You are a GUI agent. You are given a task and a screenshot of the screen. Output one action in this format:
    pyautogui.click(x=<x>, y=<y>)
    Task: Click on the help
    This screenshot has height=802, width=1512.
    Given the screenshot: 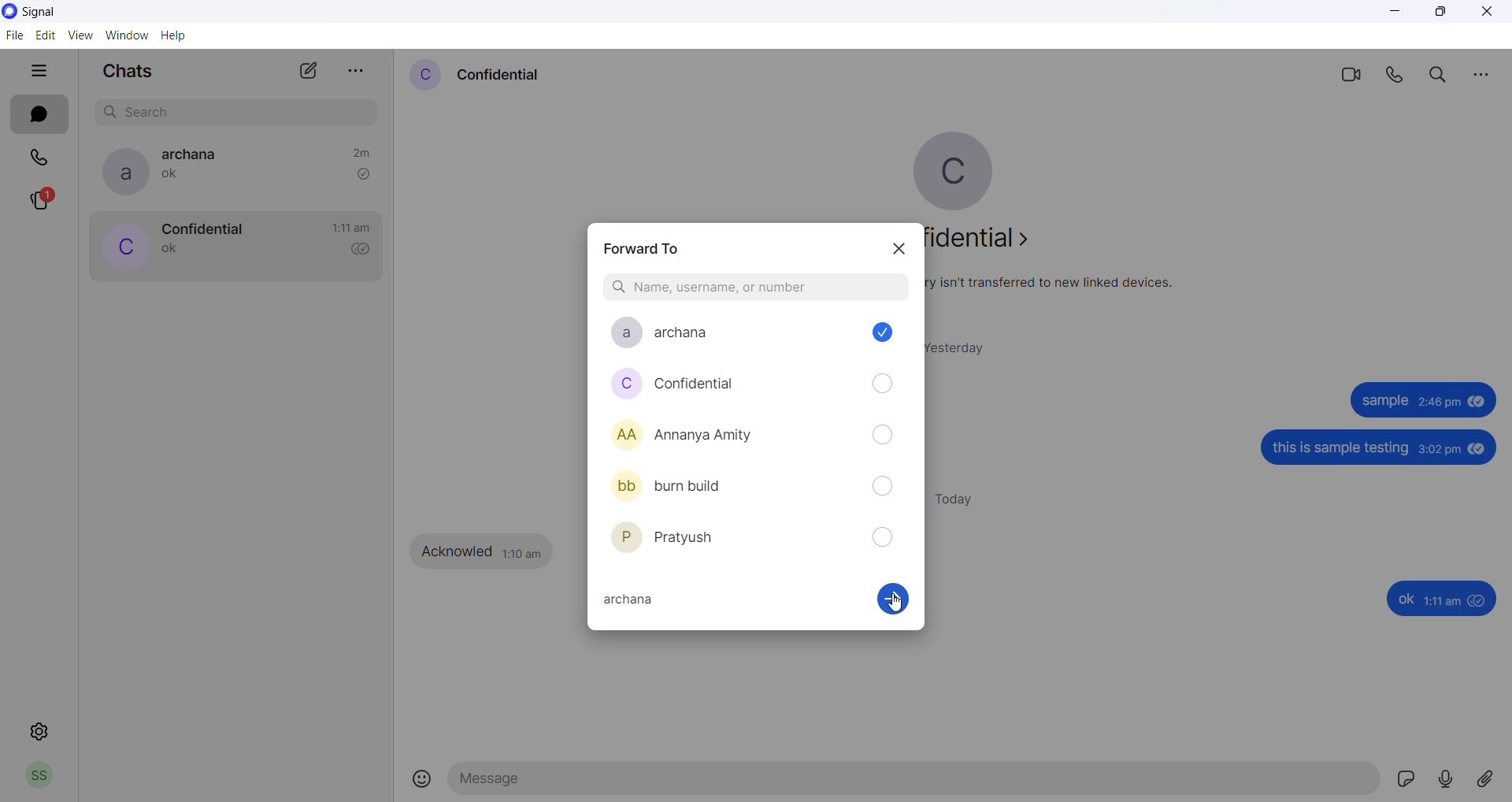 What is the action you would take?
    pyautogui.click(x=177, y=37)
    